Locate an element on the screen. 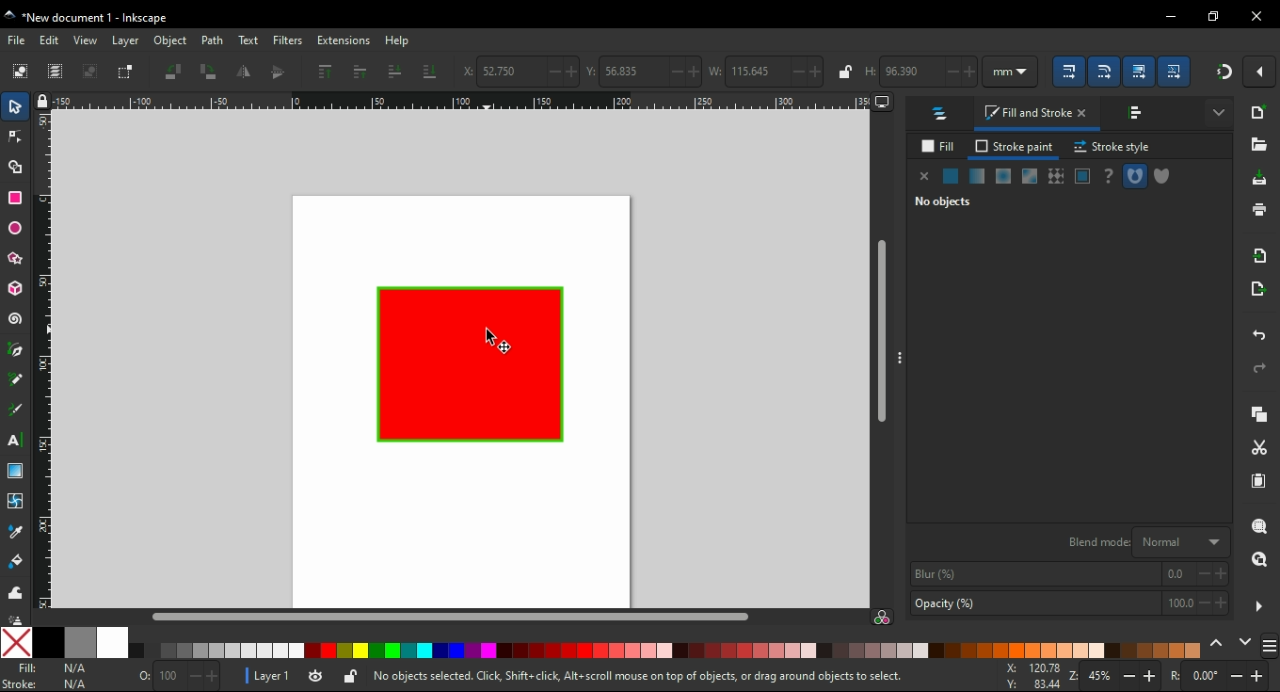 The width and height of the screenshot is (1280, 692). 52 is located at coordinates (509, 71).